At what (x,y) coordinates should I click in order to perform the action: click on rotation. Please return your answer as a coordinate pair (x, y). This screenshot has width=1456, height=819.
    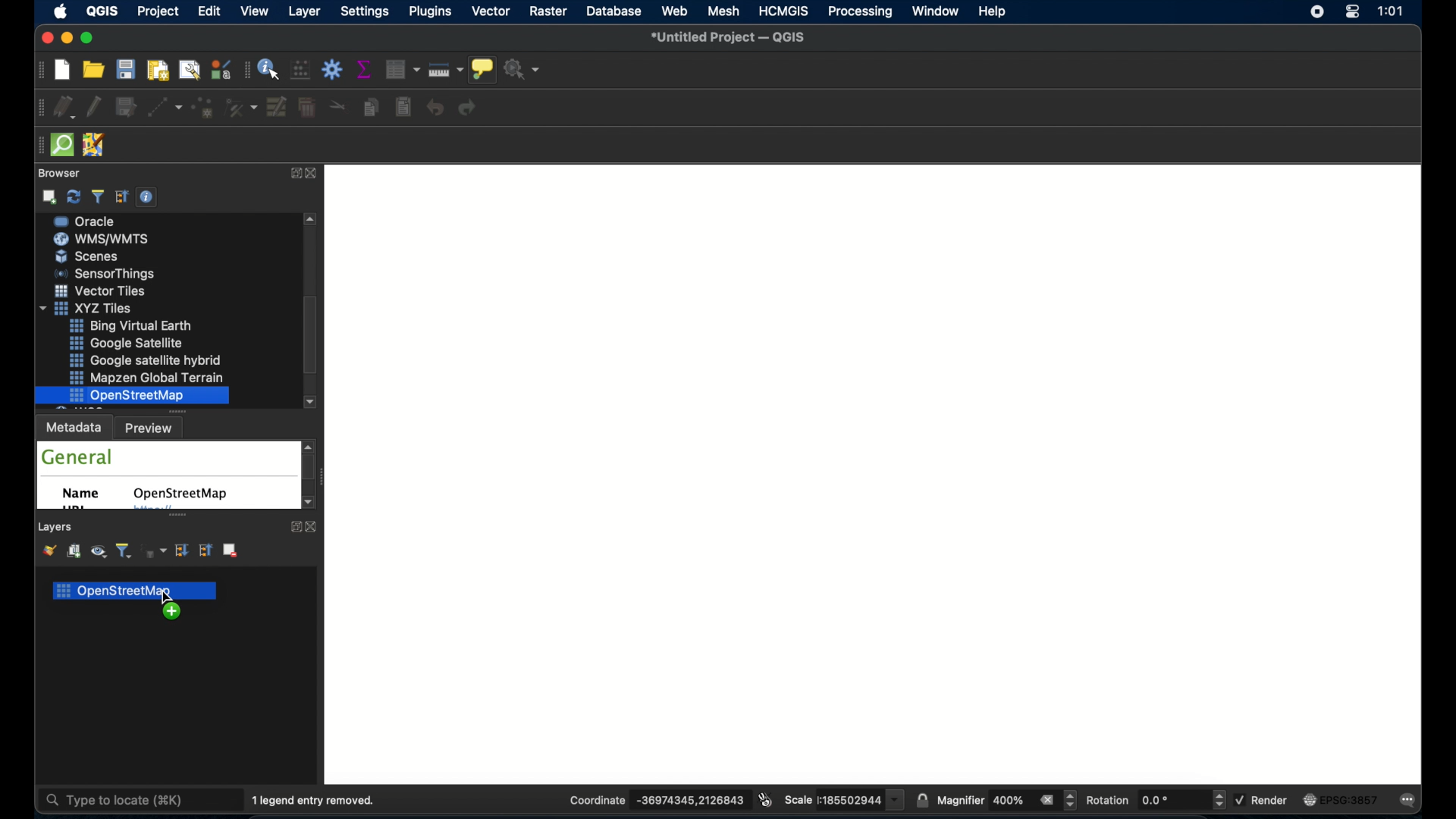
    Looking at the image, I should click on (1157, 800).